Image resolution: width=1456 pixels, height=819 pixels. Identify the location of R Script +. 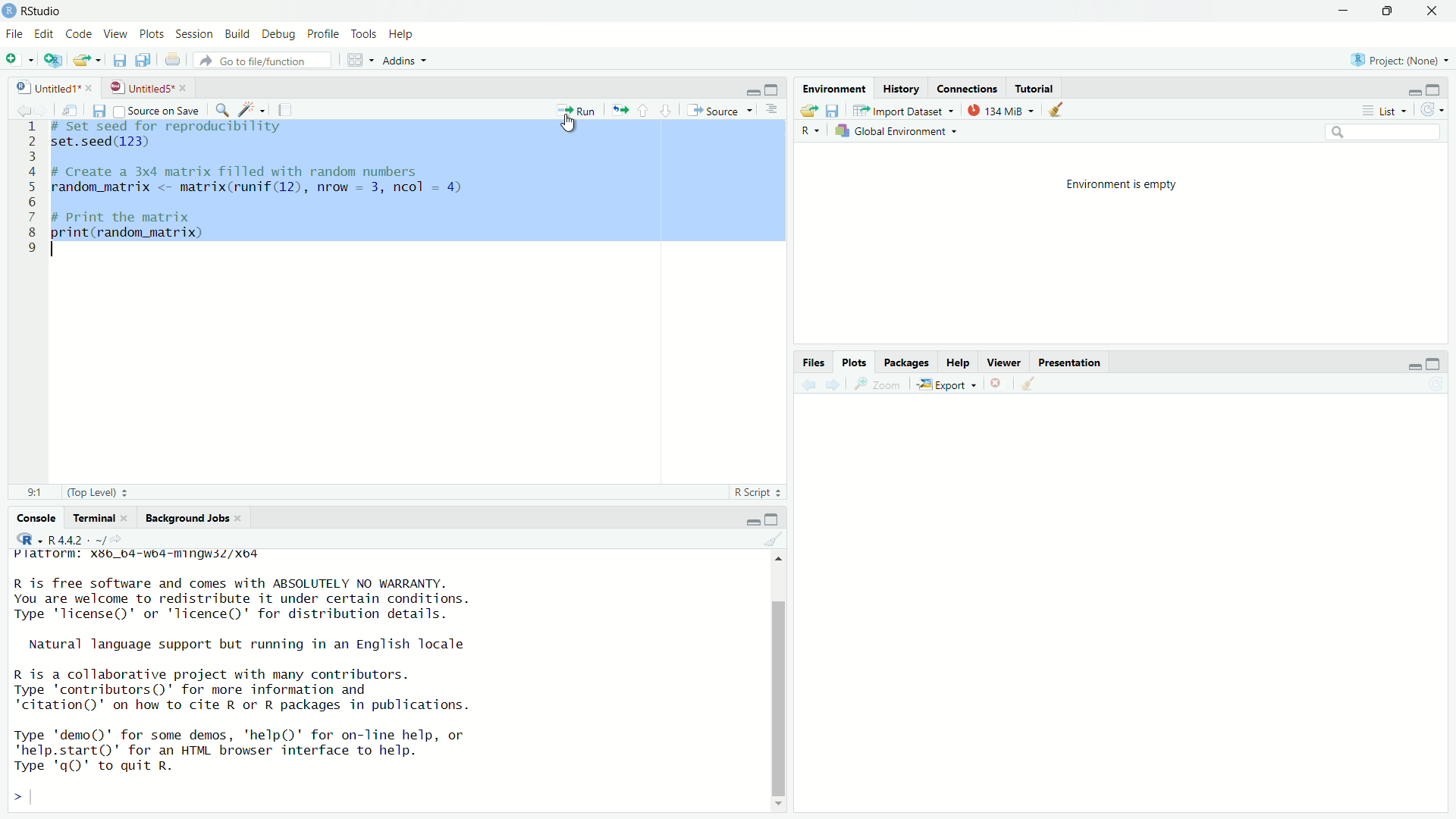
(755, 491).